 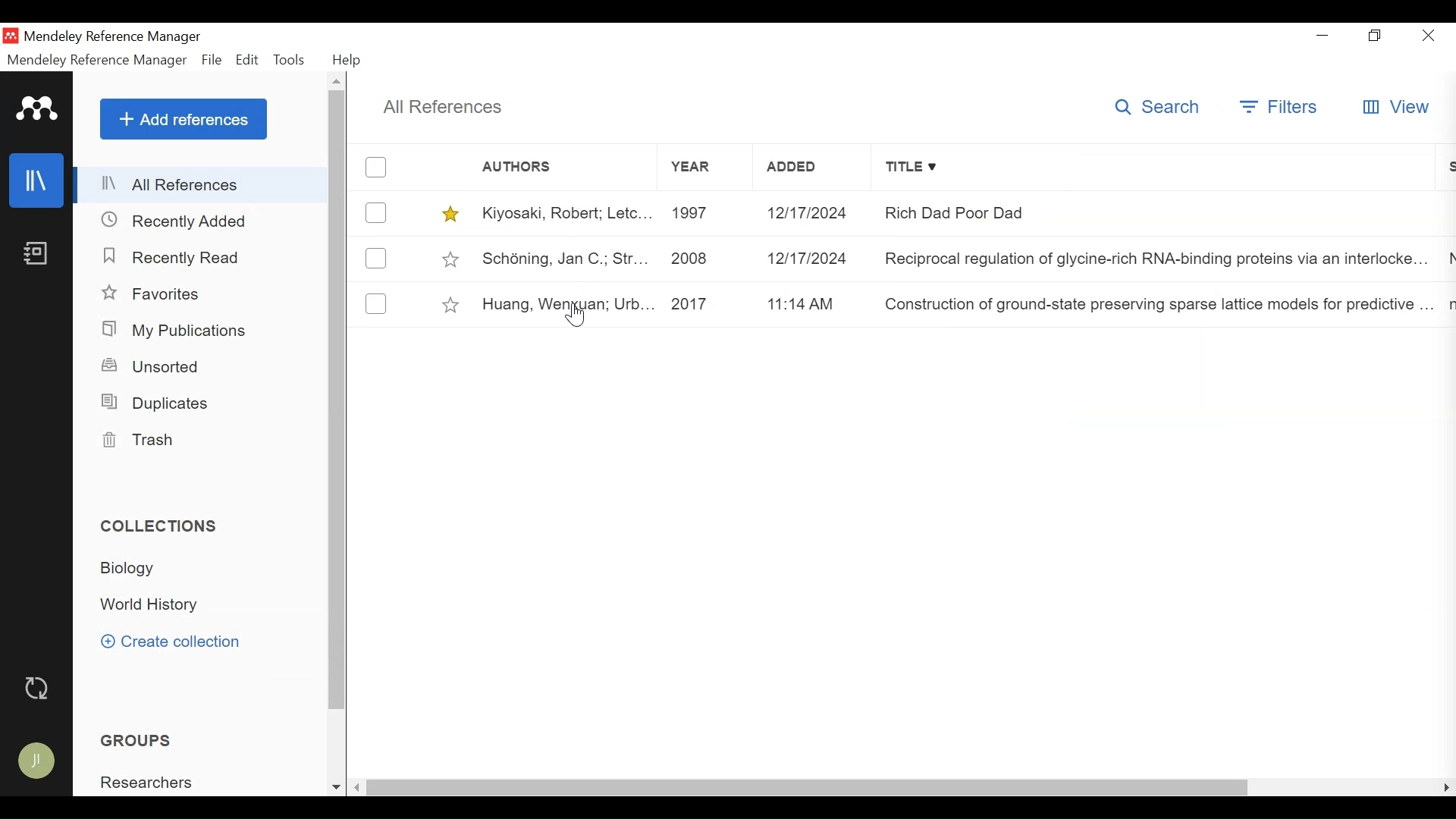 I want to click on Edit, so click(x=248, y=61).